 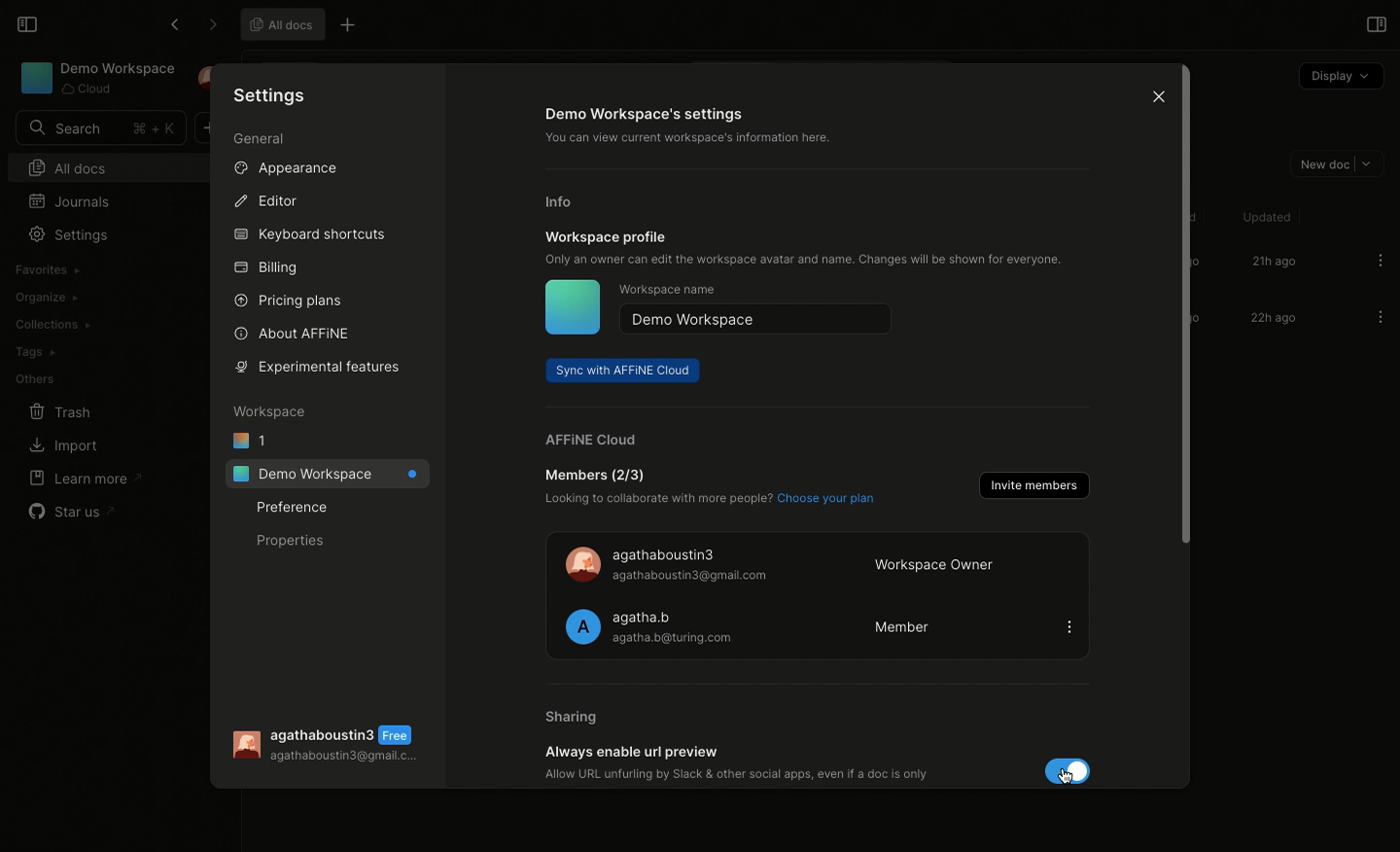 What do you see at coordinates (294, 334) in the screenshot?
I see `About AFFINE` at bounding box center [294, 334].